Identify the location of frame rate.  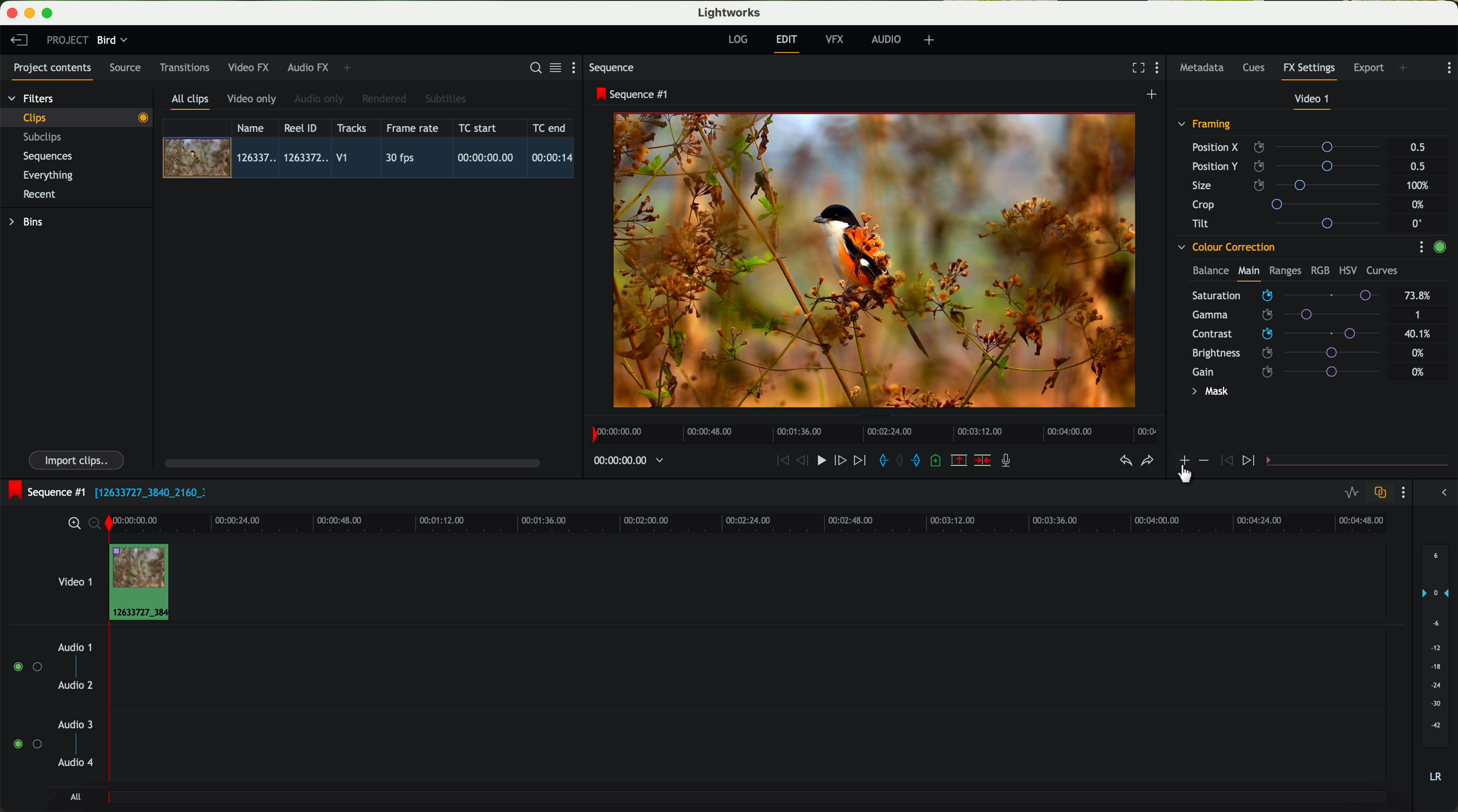
(413, 128).